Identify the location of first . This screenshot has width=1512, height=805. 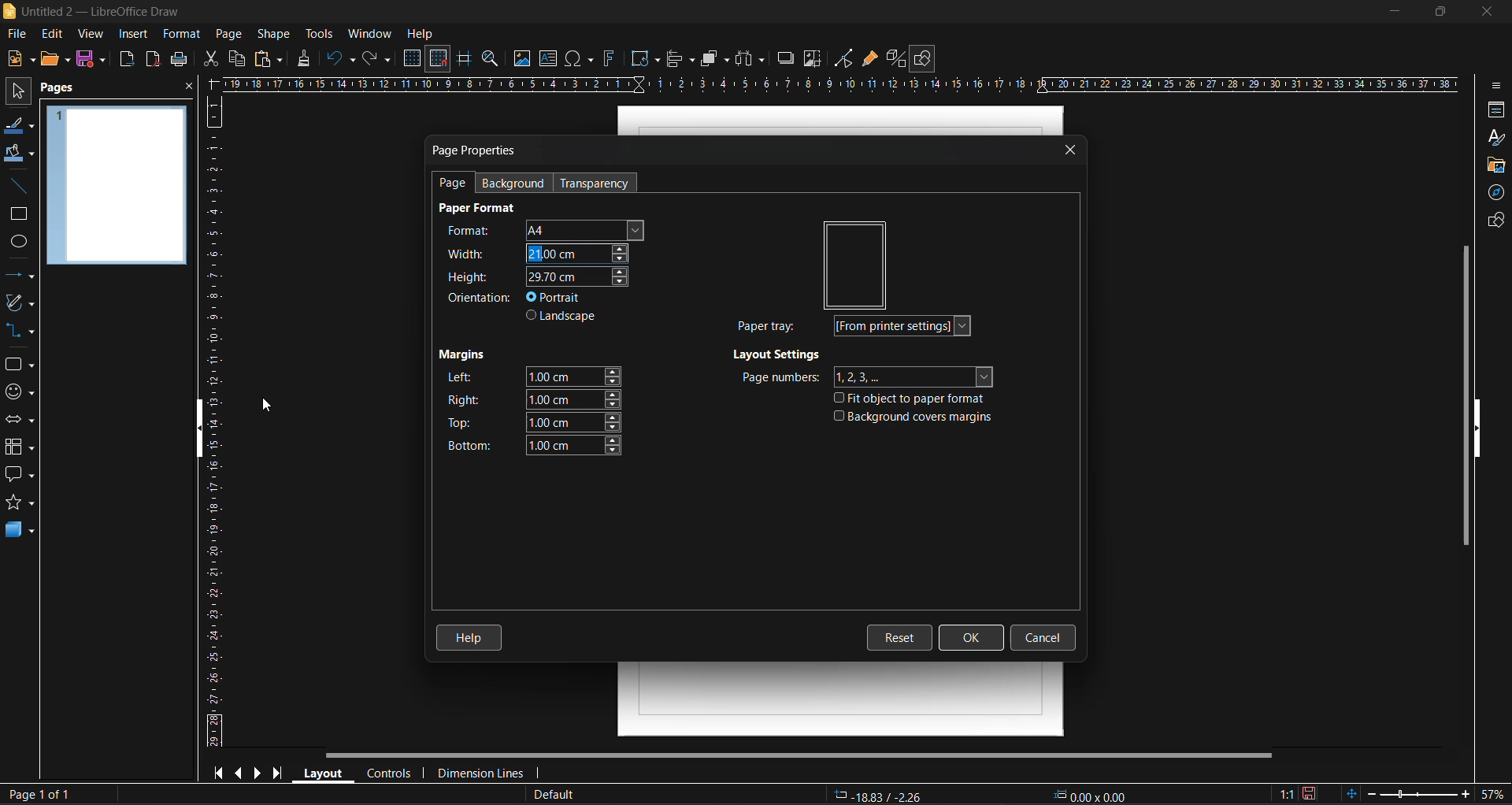
(220, 774).